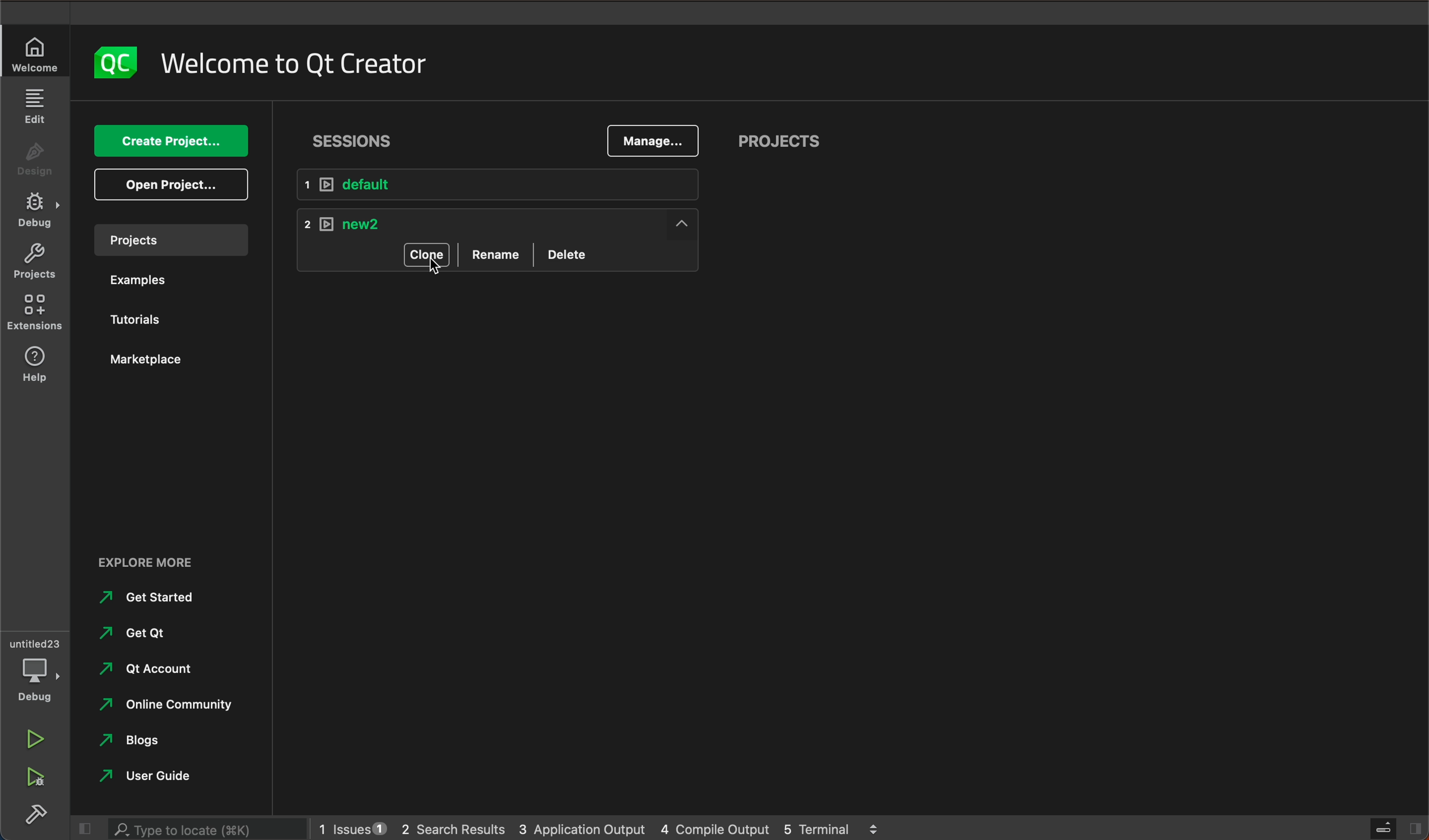 The height and width of the screenshot is (840, 1429). Describe the element at coordinates (570, 255) in the screenshot. I see `delete` at that location.